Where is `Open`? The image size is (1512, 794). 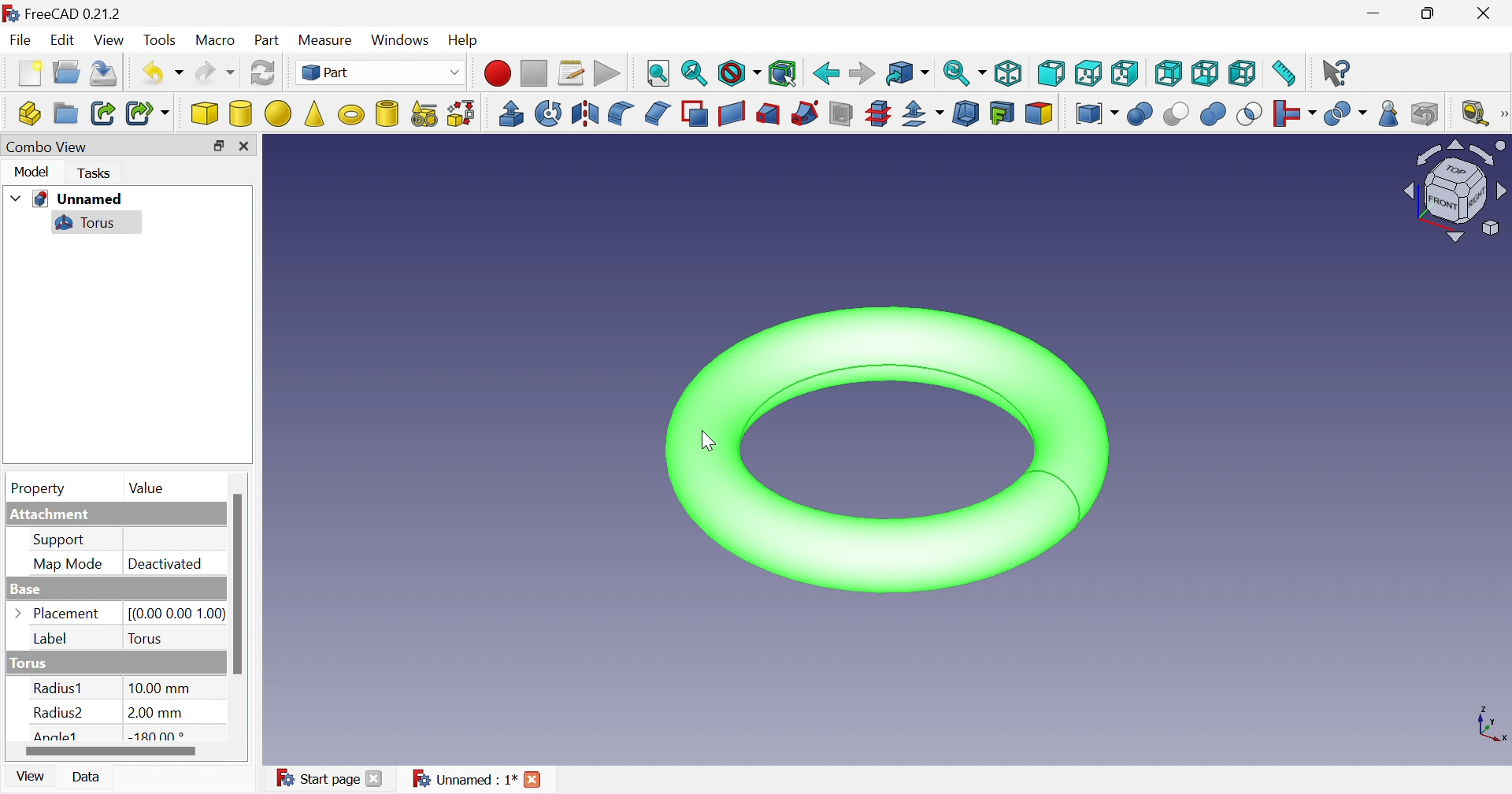 Open is located at coordinates (68, 74).